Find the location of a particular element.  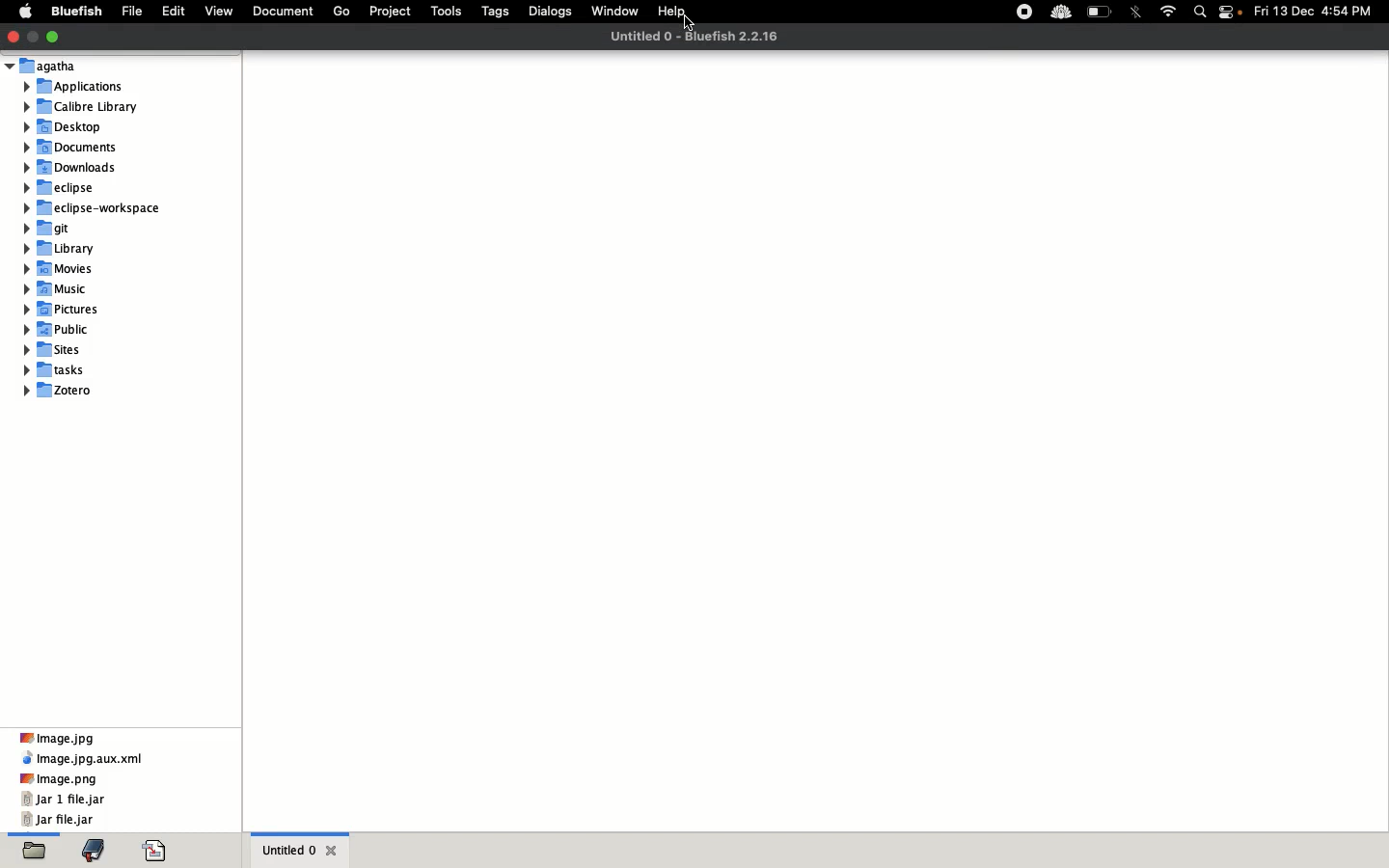

View is located at coordinates (219, 11).